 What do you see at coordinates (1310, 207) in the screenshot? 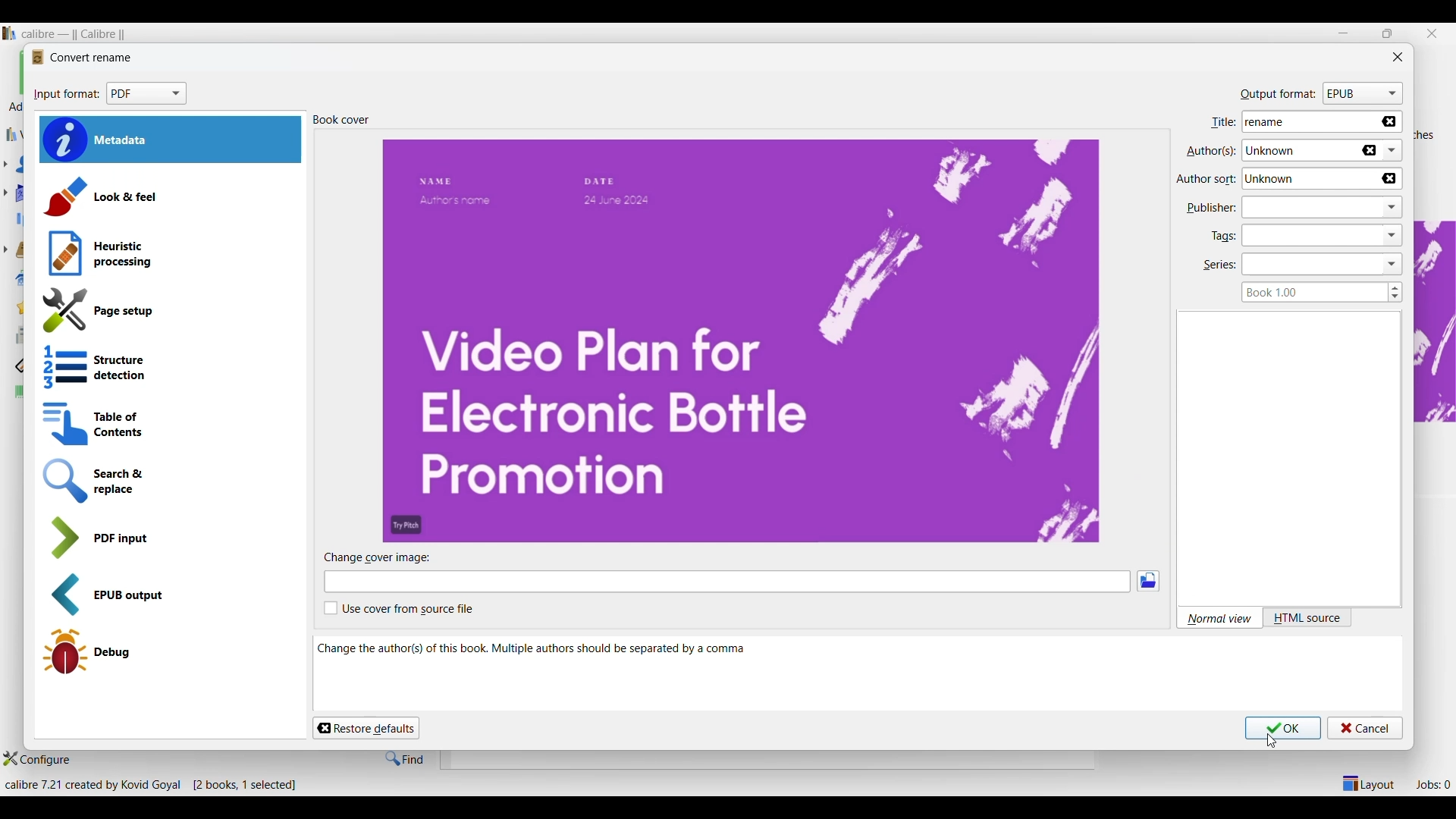
I see `Type in publisher` at bounding box center [1310, 207].